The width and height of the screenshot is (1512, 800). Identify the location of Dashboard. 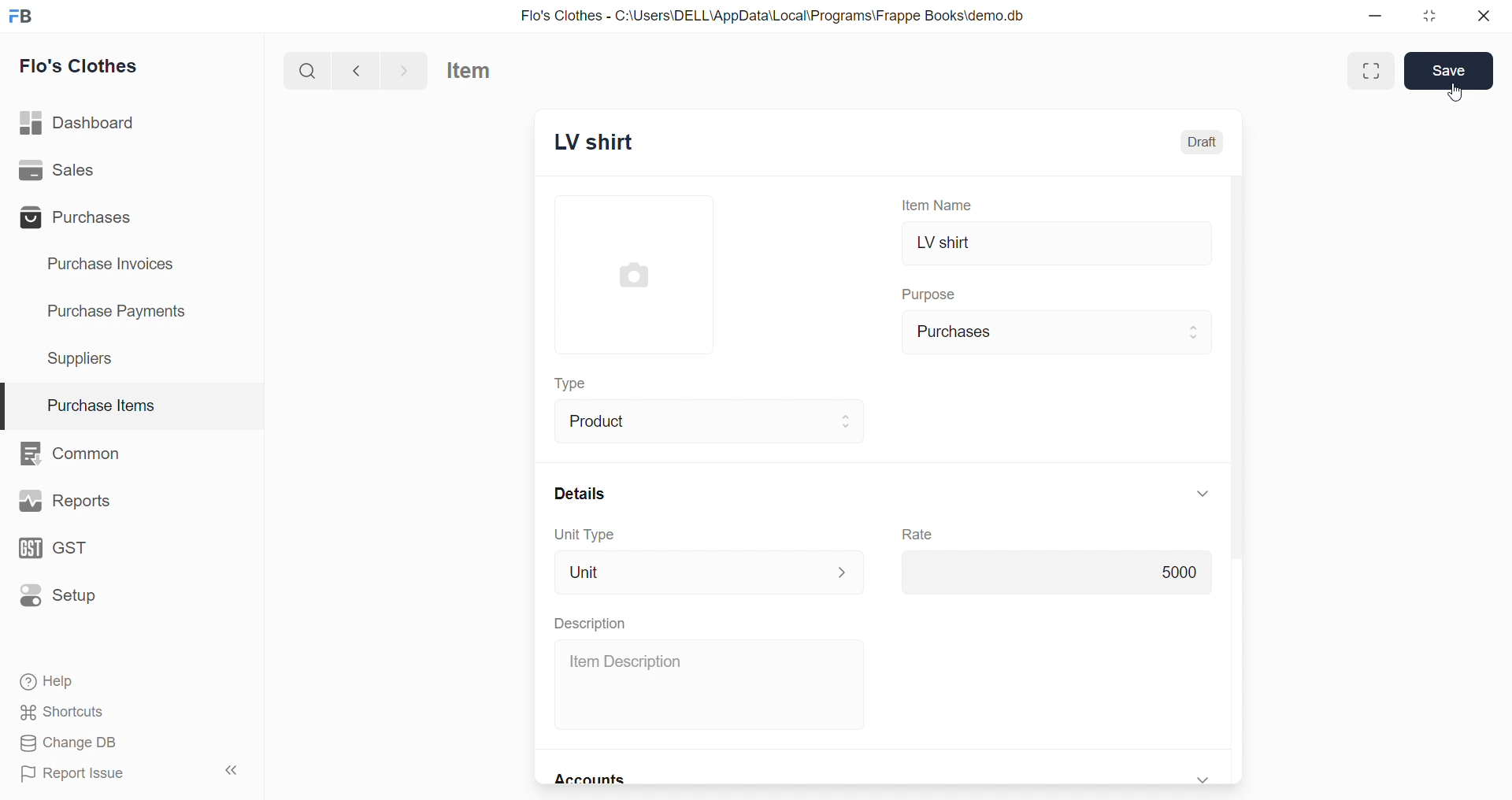
(84, 120).